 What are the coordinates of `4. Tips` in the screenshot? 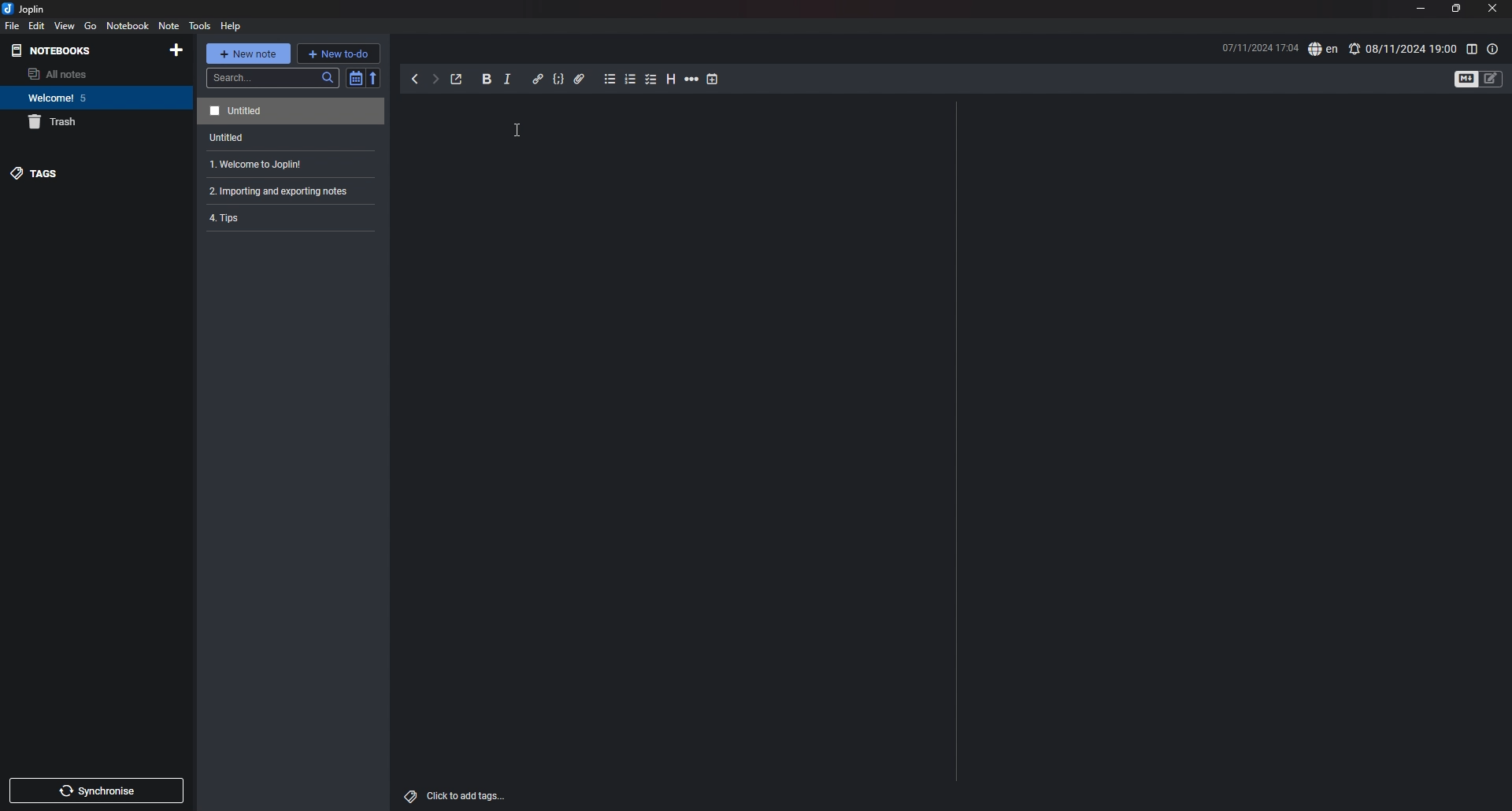 It's located at (274, 220).